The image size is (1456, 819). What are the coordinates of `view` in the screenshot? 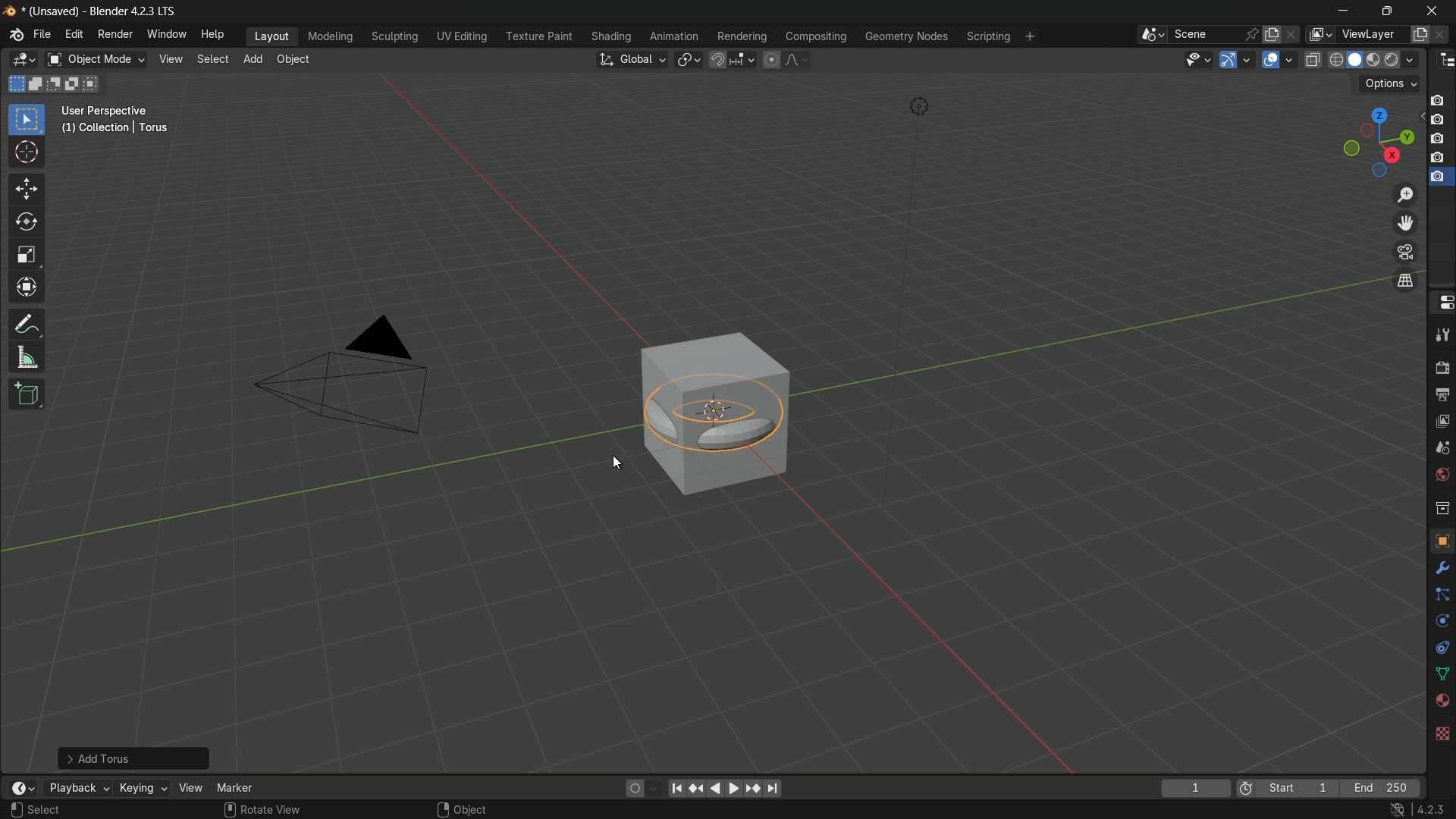 It's located at (169, 59).